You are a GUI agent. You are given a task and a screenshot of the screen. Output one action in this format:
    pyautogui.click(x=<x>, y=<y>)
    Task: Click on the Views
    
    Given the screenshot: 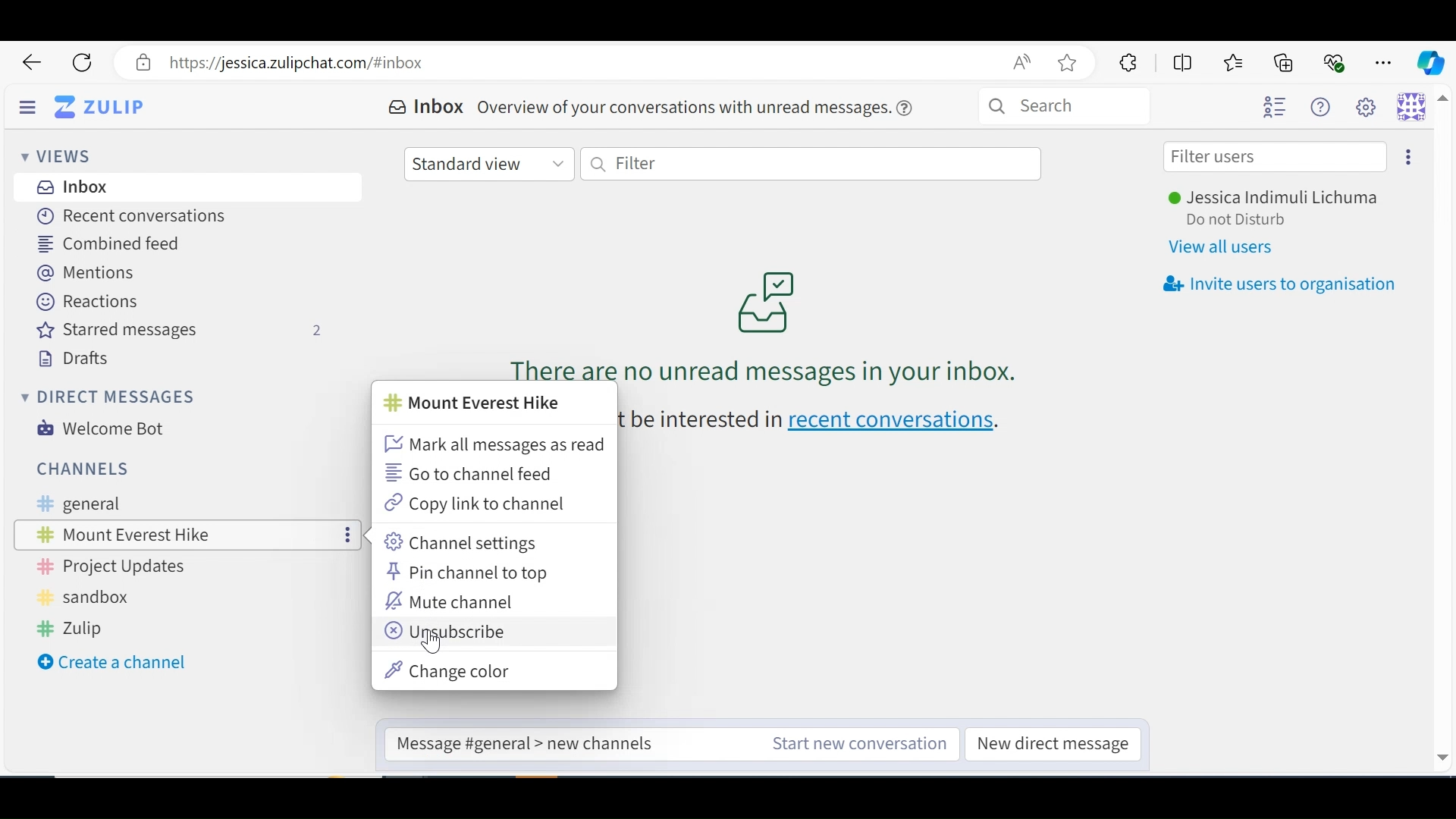 What is the action you would take?
    pyautogui.click(x=55, y=155)
    